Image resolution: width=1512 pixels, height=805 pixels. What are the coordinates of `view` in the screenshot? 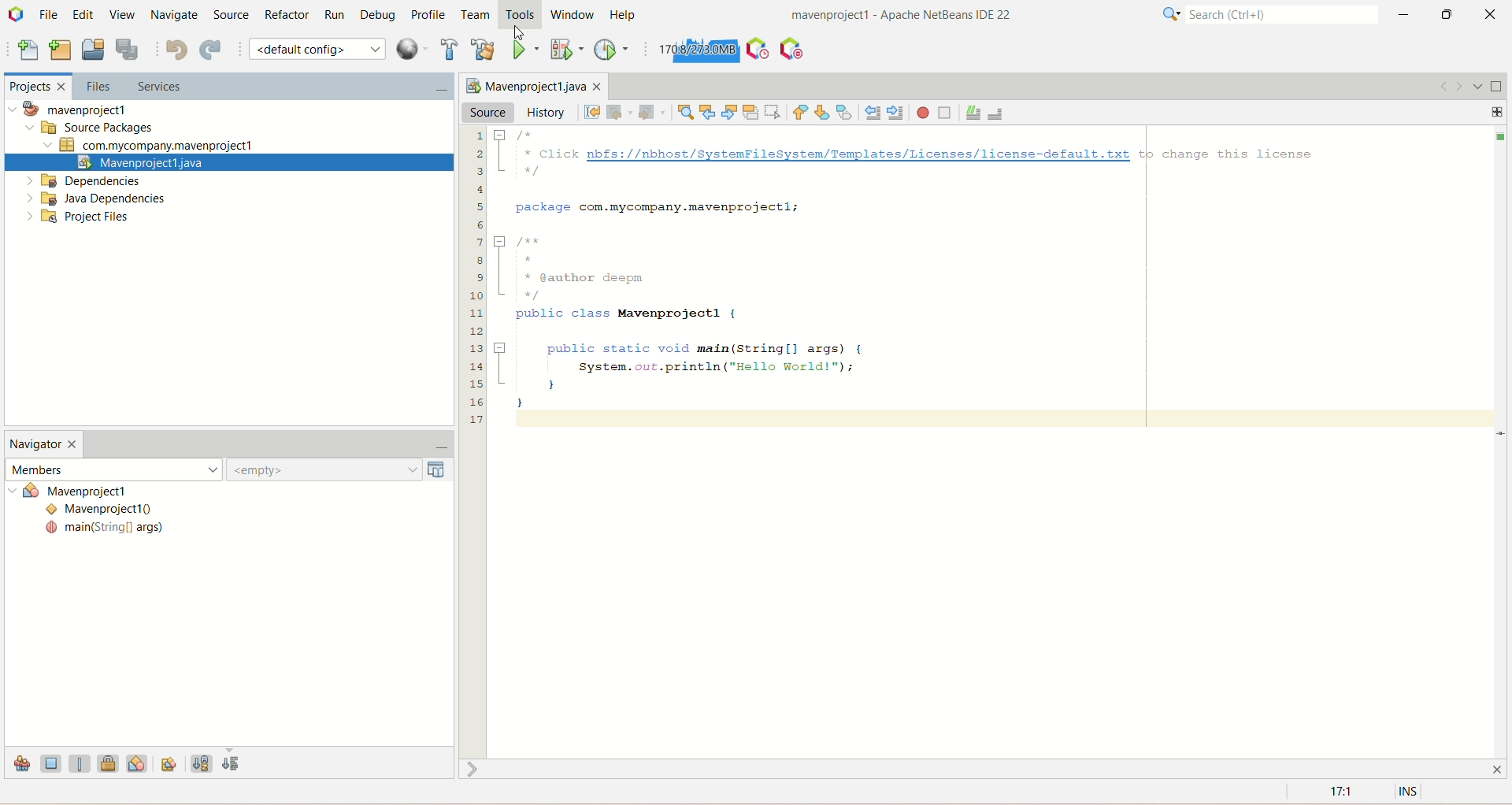 It's located at (119, 13).